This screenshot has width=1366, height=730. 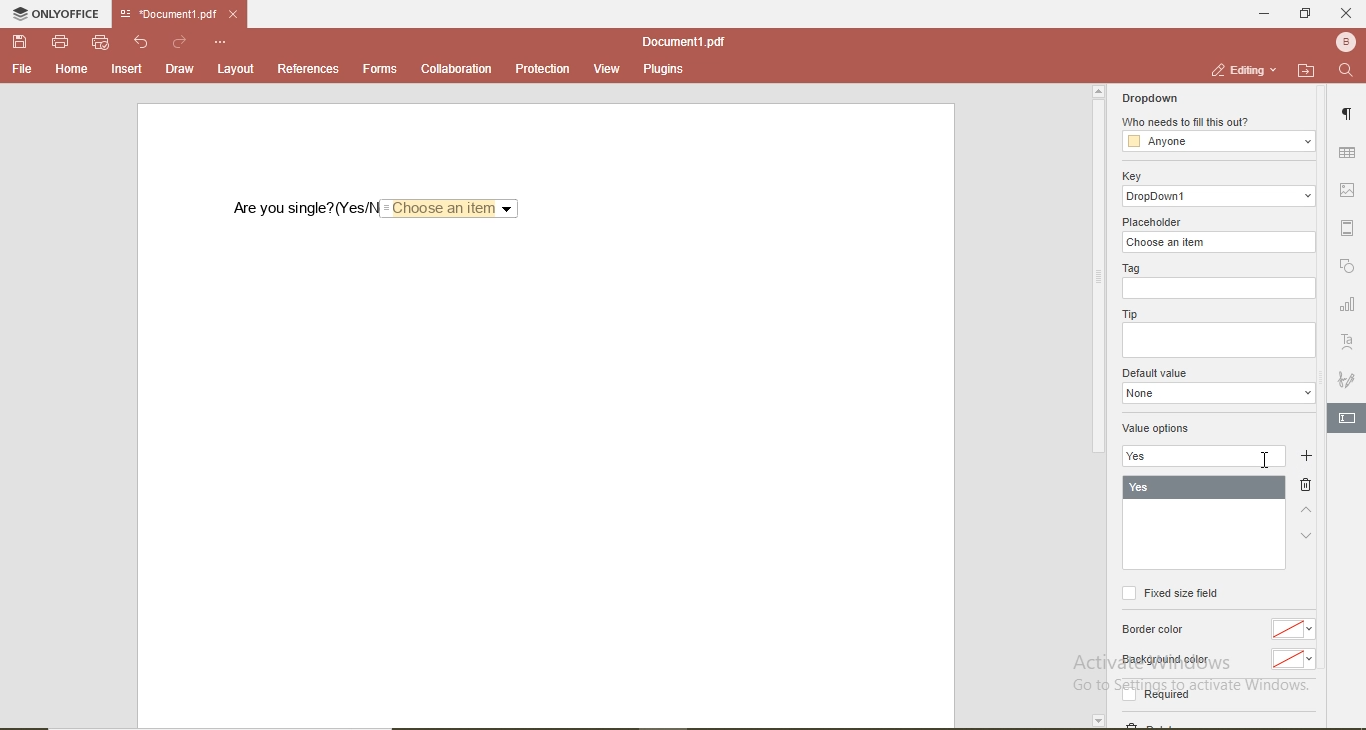 What do you see at coordinates (1158, 694) in the screenshot?
I see `Required` at bounding box center [1158, 694].